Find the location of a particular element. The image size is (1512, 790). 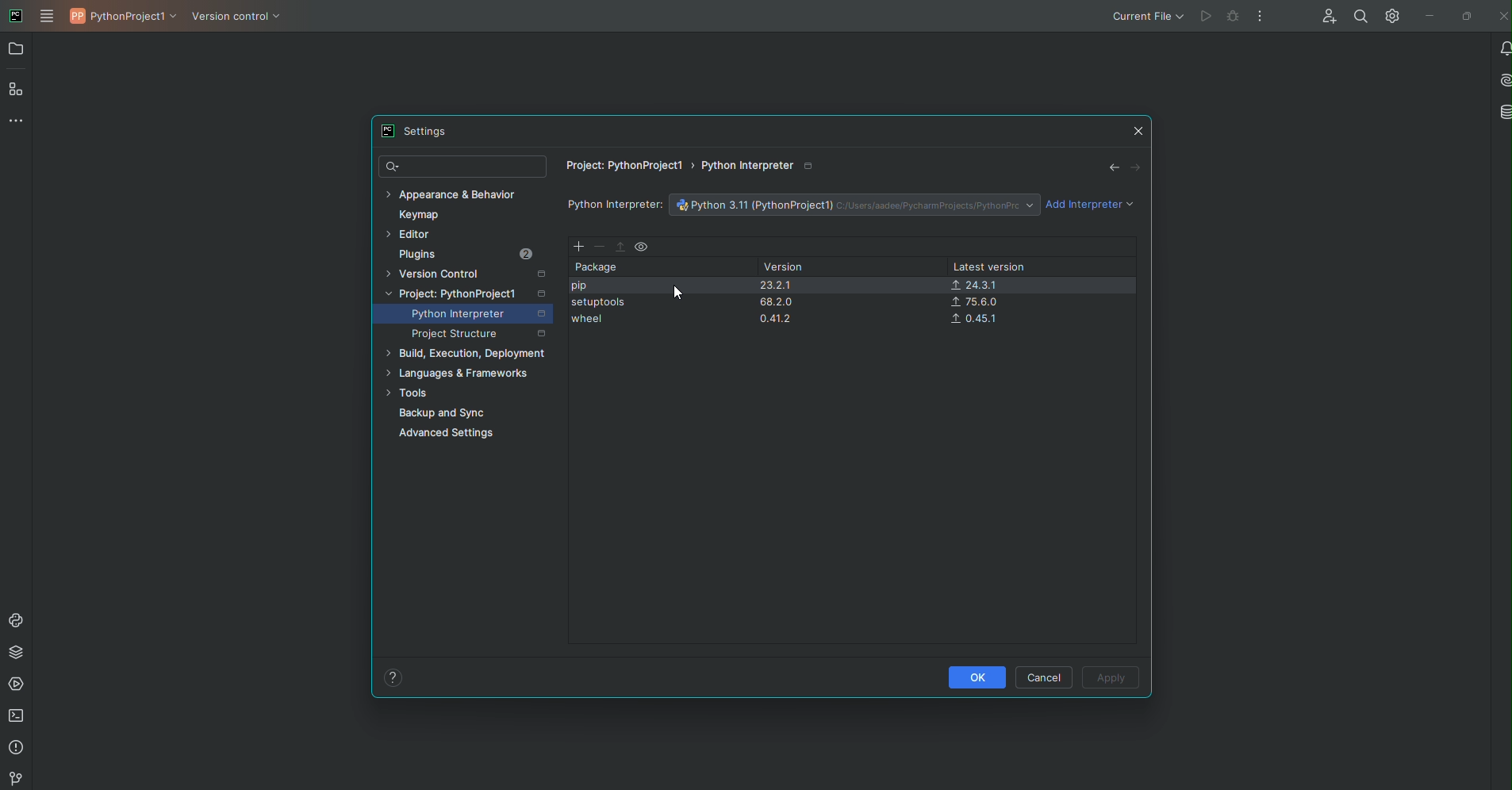

Close is located at coordinates (1136, 131).